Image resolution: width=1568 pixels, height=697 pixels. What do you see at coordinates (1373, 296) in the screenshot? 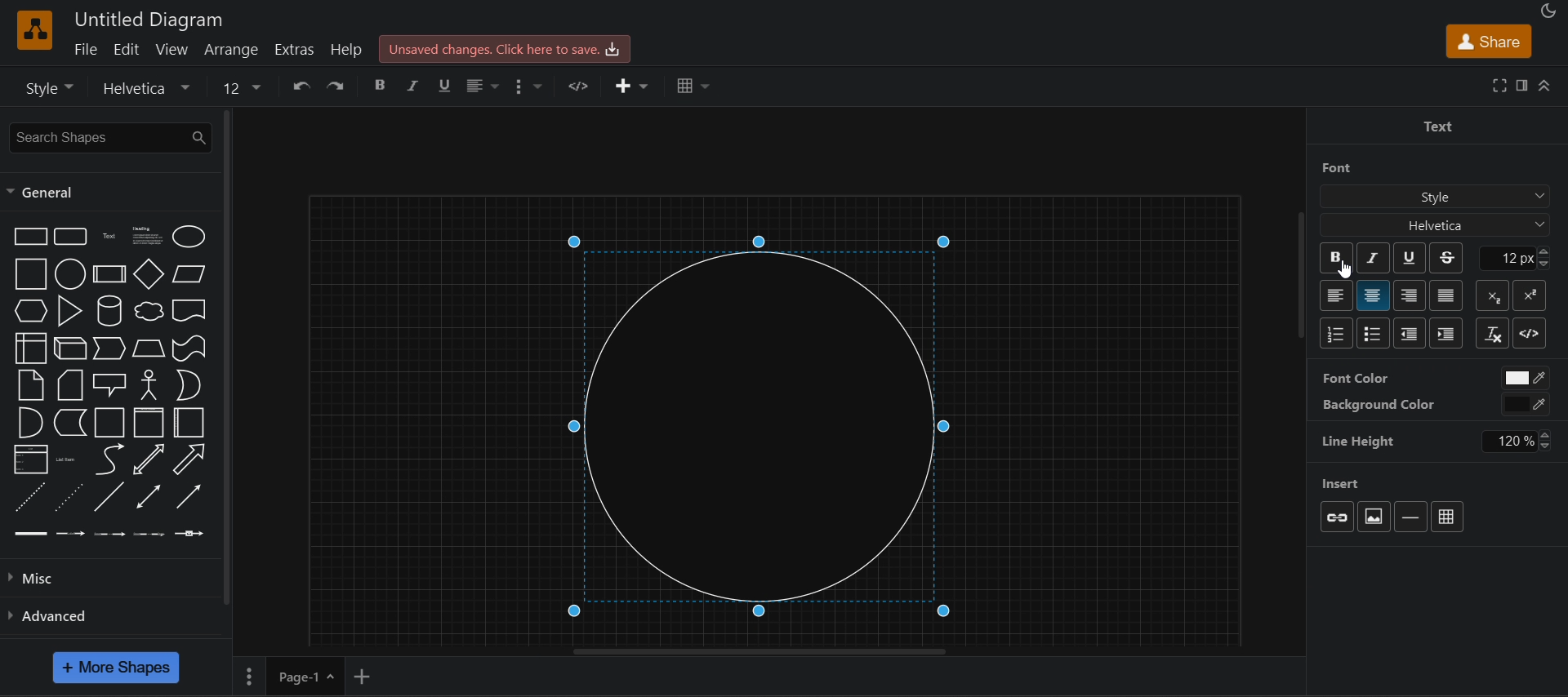
I see `center align` at bounding box center [1373, 296].